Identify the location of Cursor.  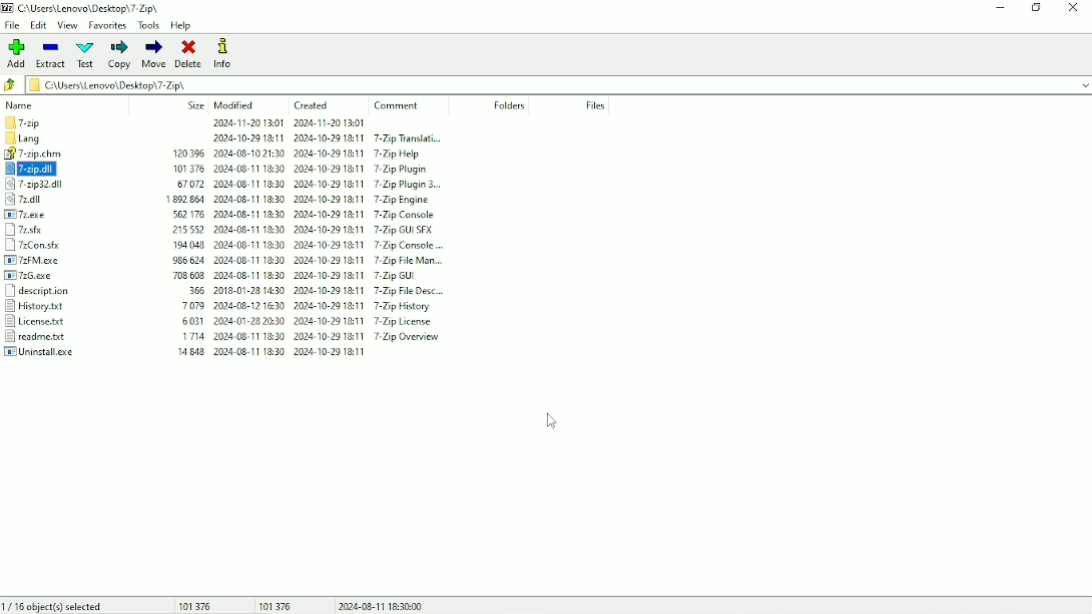
(551, 420).